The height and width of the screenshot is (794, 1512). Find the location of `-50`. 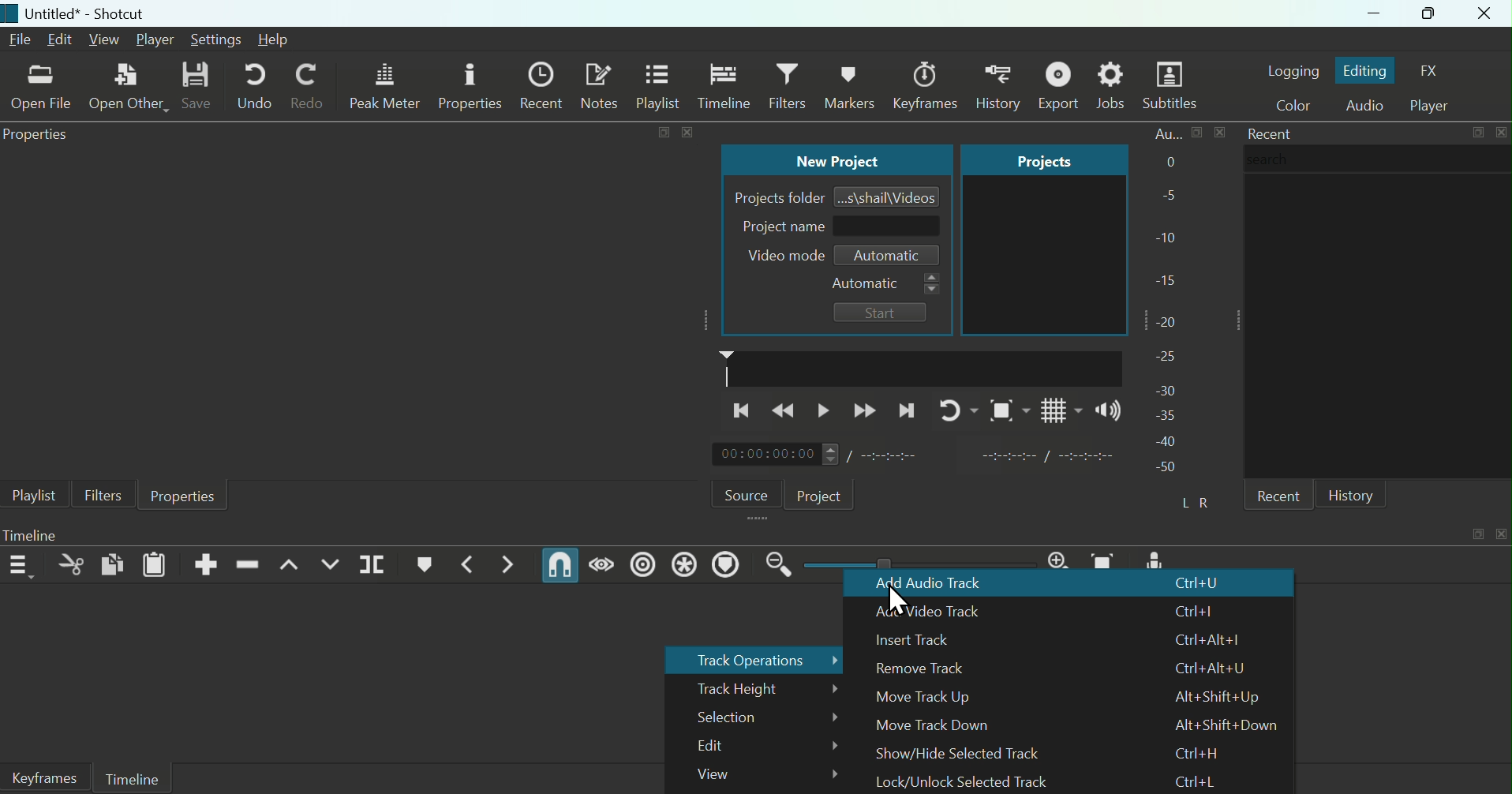

-50 is located at coordinates (1166, 468).